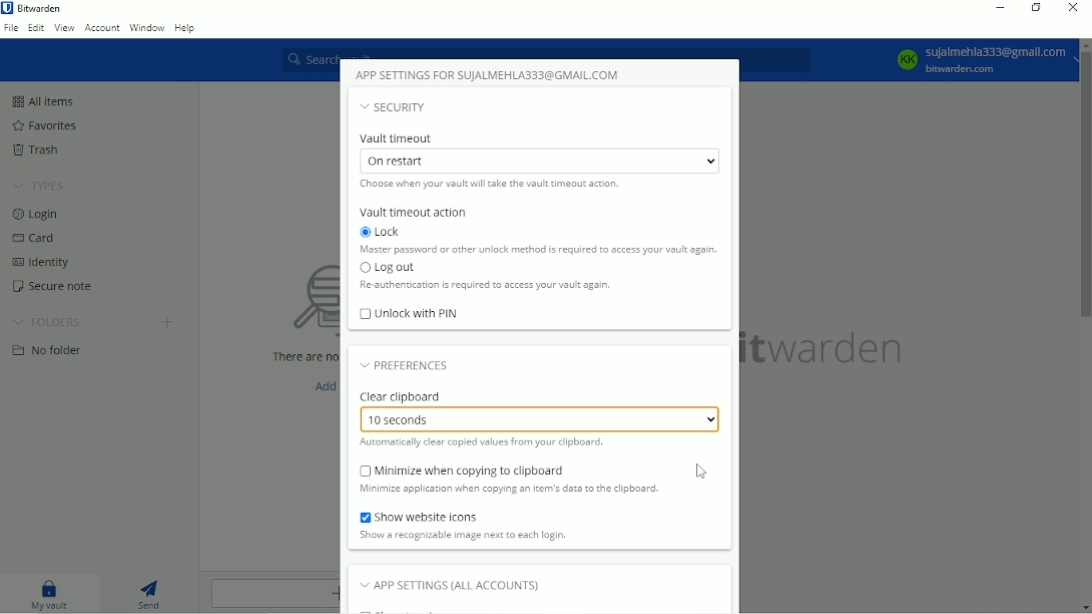 The image size is (1092, 614). Describe the element at coordinates (387, 268) in the screenshot. I see `Log out` at that location.